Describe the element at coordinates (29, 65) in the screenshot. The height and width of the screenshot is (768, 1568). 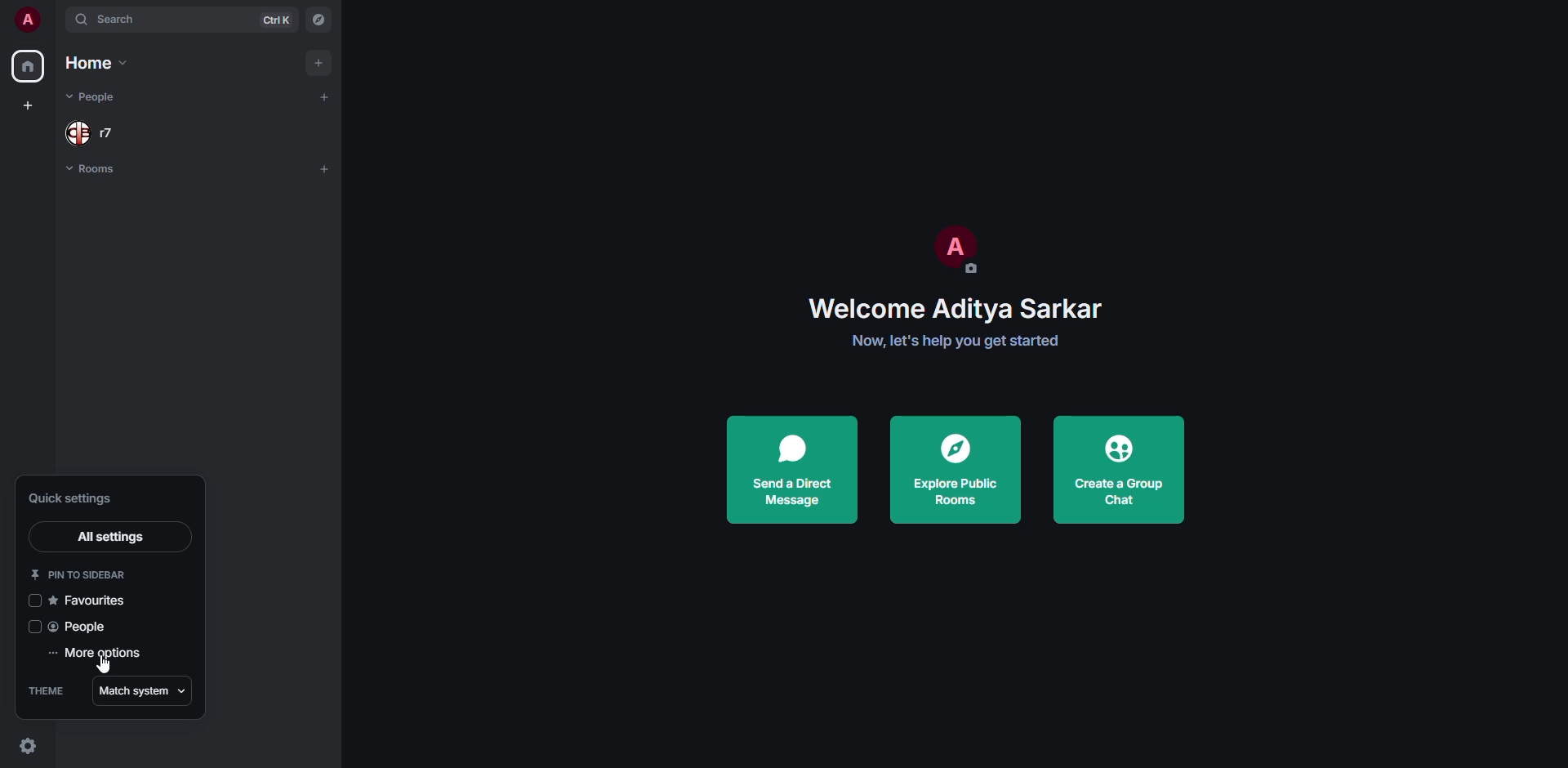
I see `home` at that location.